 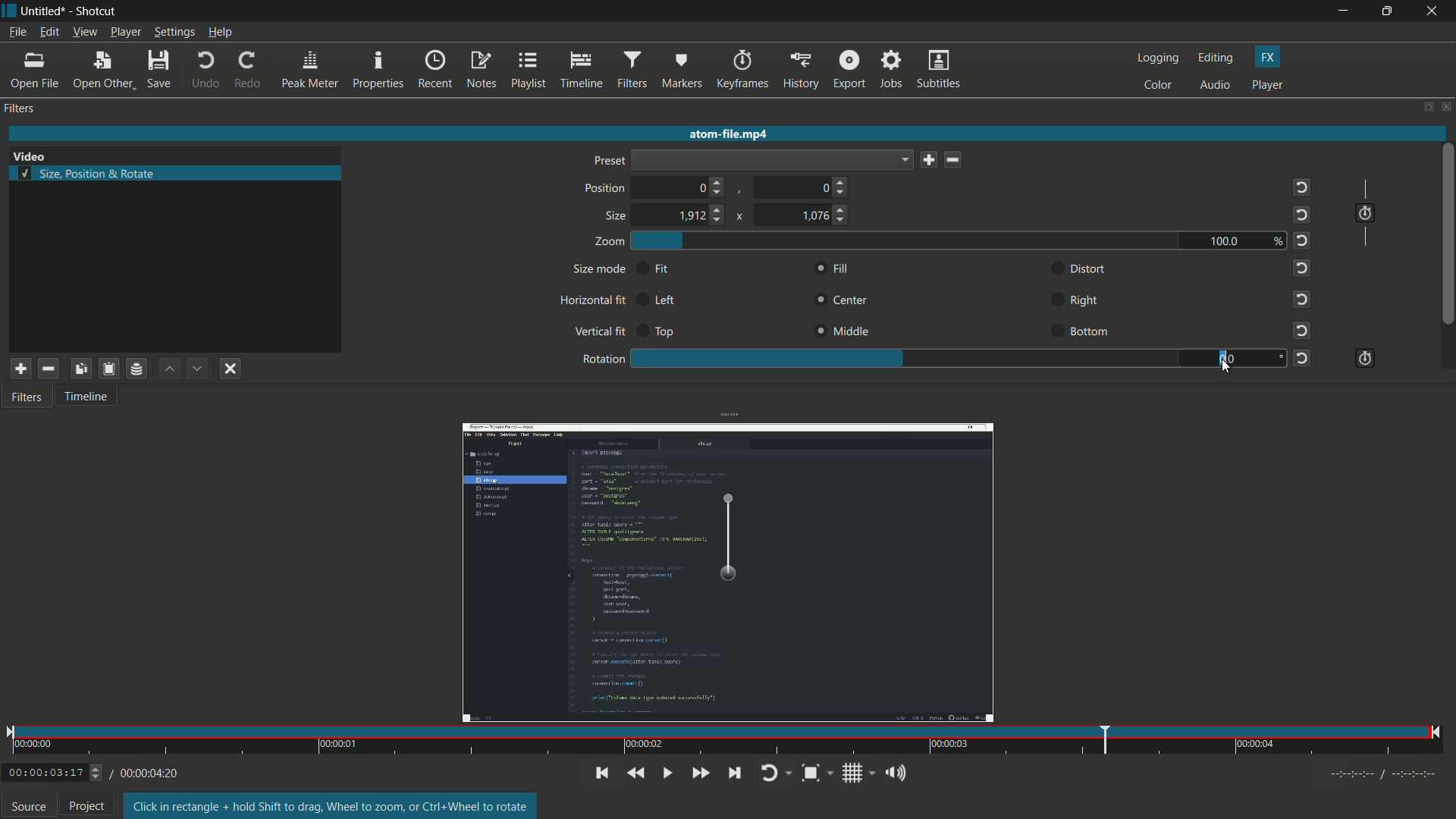 I want to click on quickly play forward, so click(x=700, y=774).